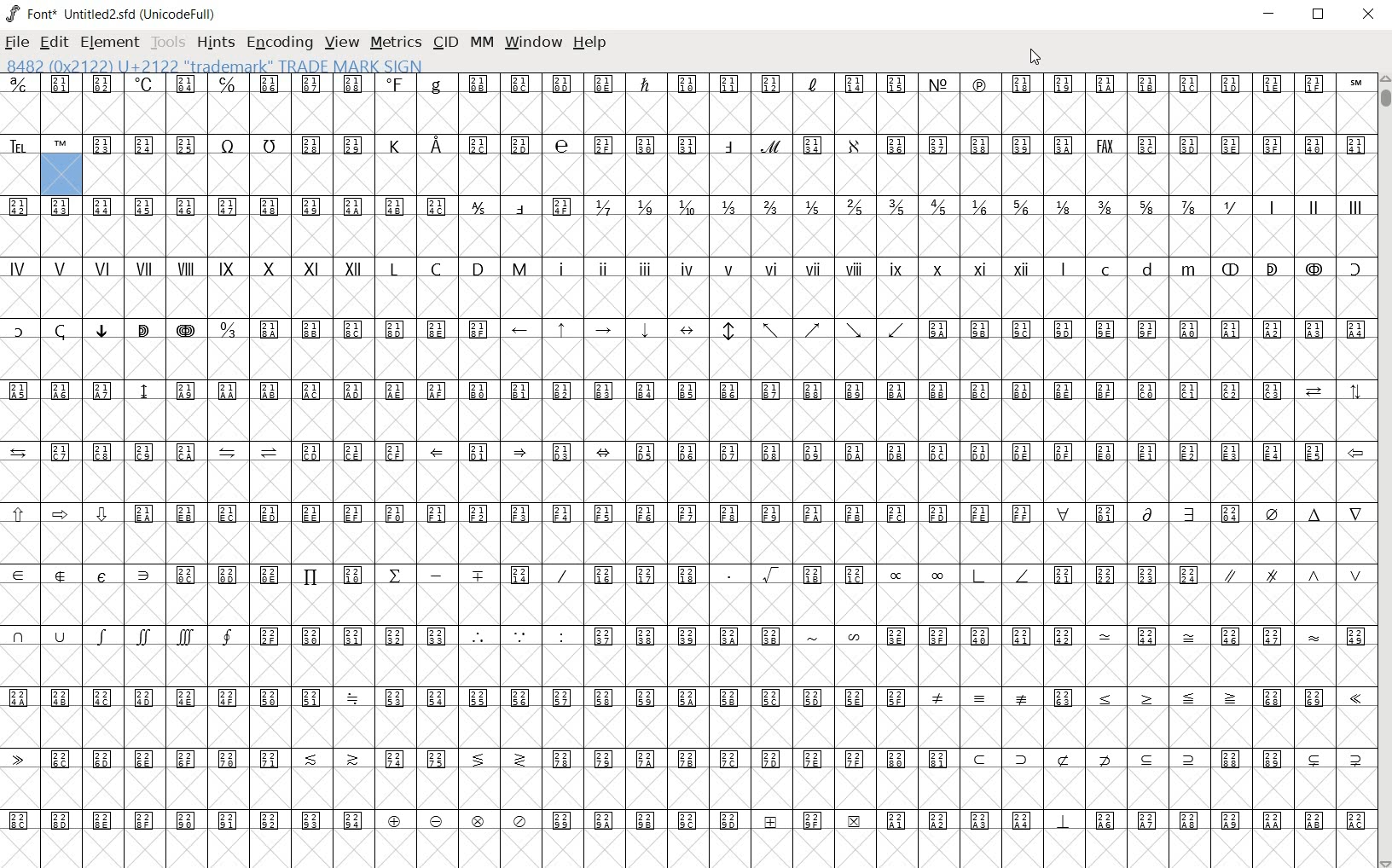 The image size is (1392, 868). Describe the element at coordinates (54, 42) in the screenshot. I see `EDIT` at that location.